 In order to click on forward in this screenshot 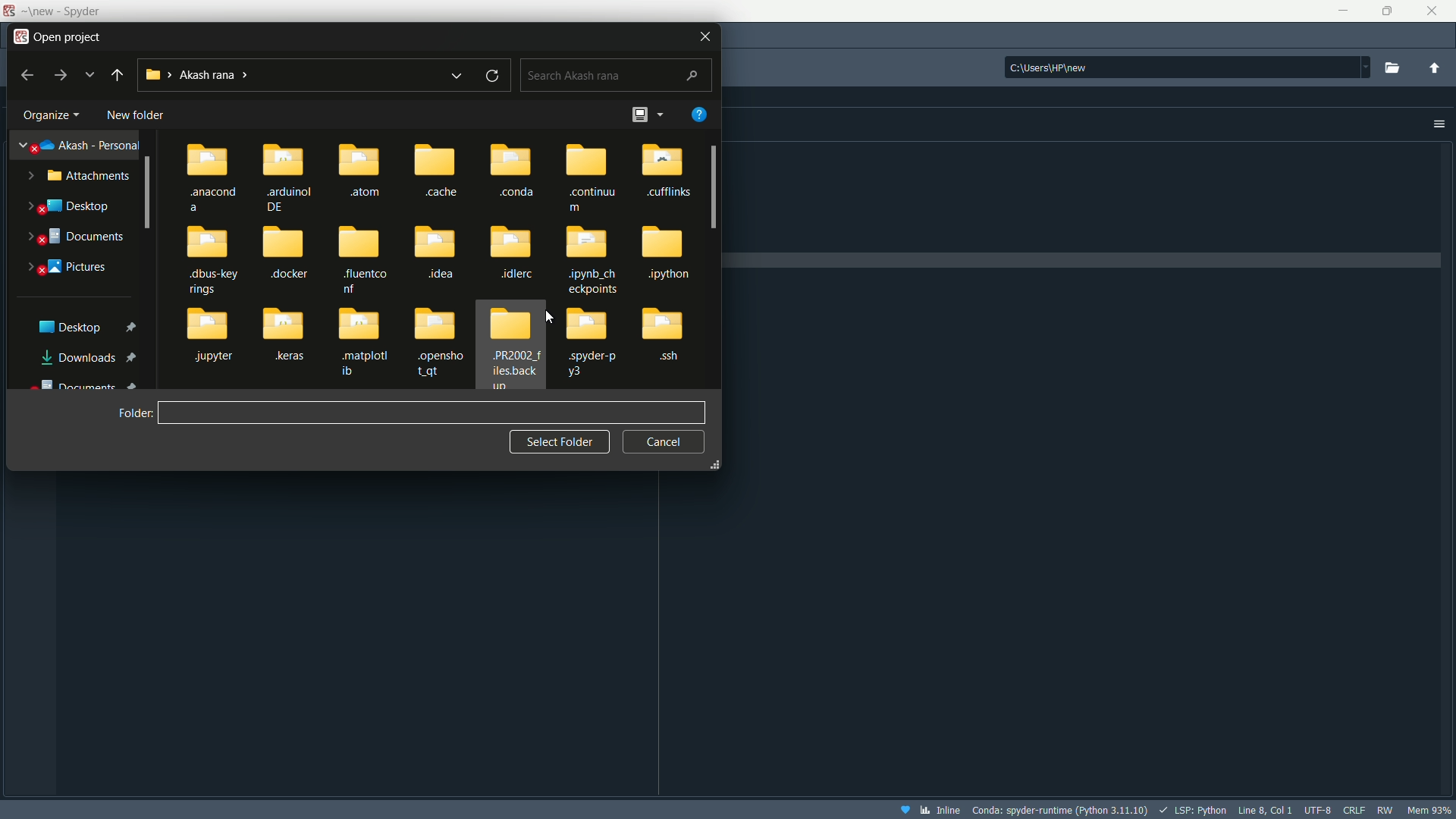, I will do `click(61, 76)`.